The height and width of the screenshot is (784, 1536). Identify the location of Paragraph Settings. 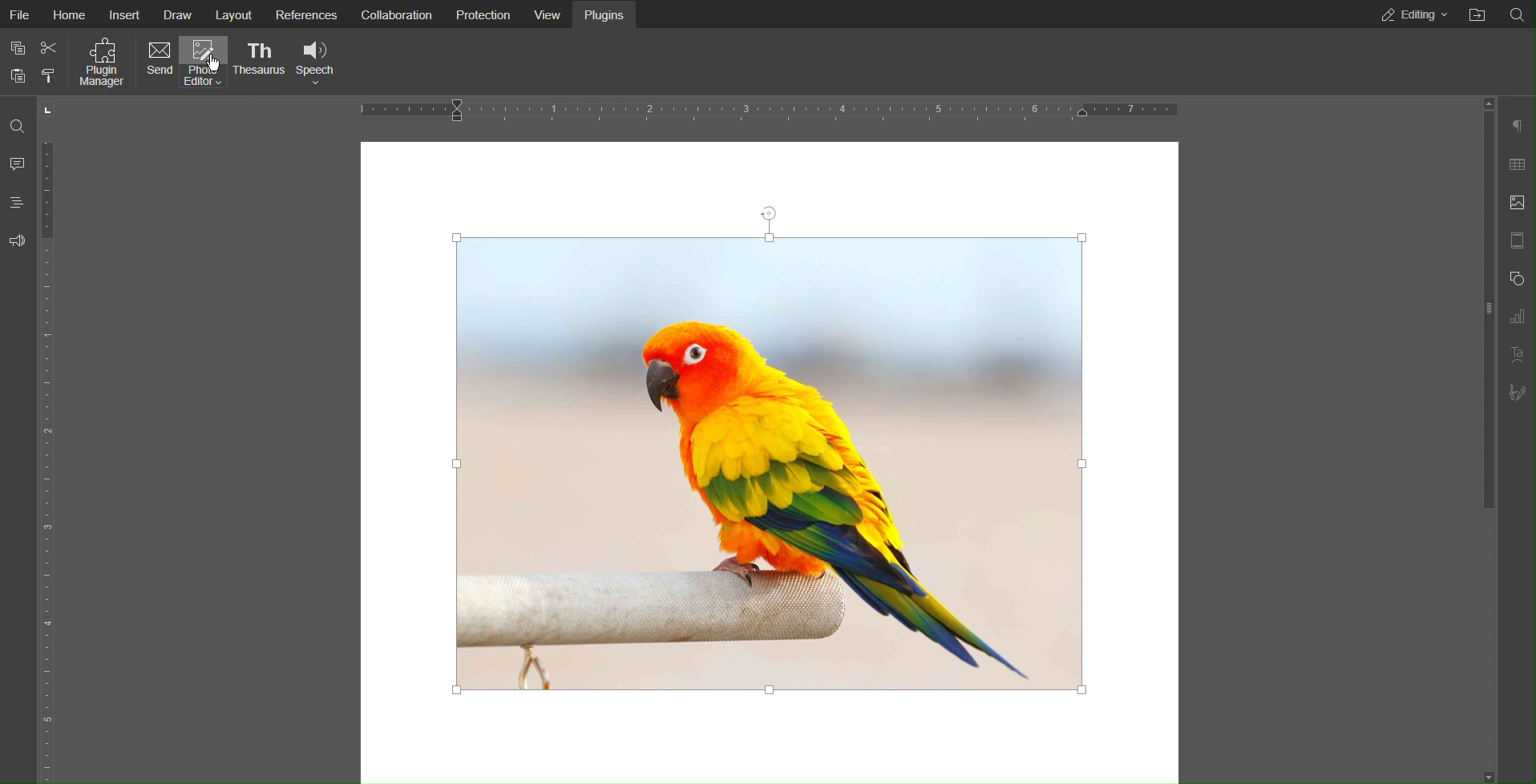
(1516, 127).